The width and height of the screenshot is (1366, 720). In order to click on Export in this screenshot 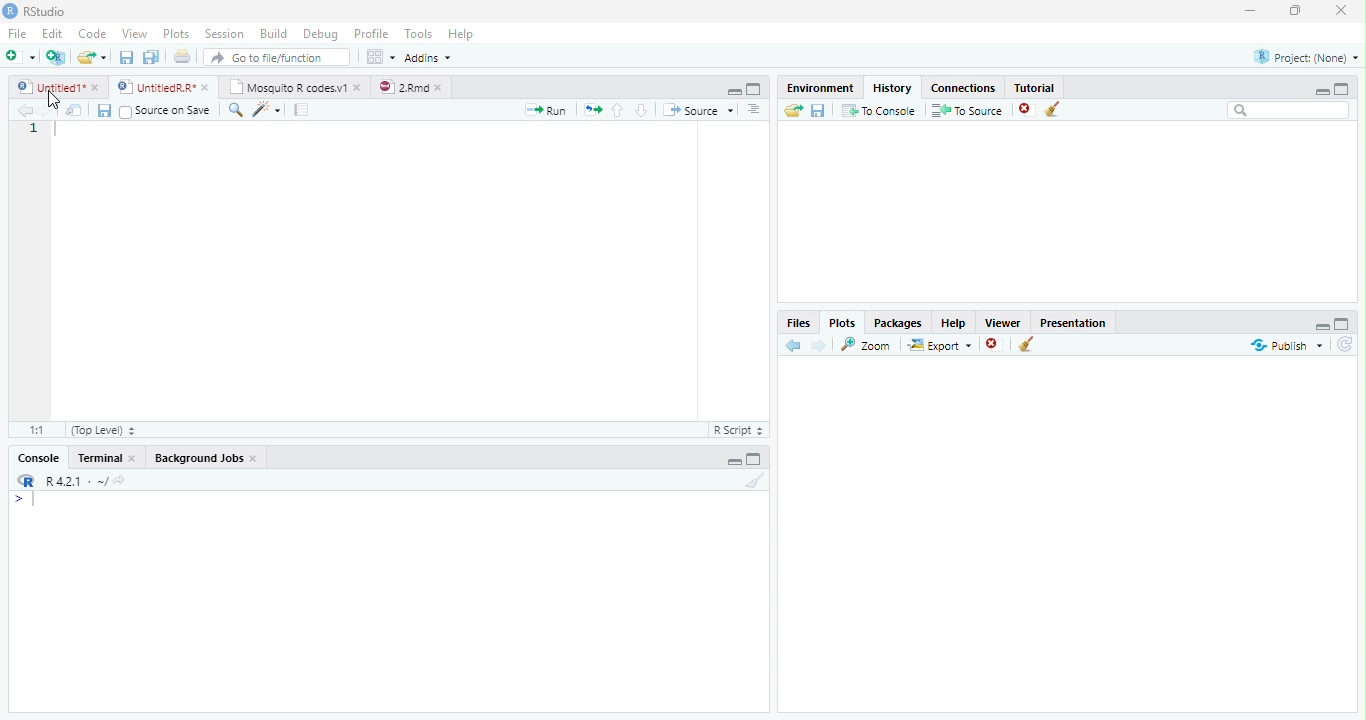, I will do `click(939, 346)`.